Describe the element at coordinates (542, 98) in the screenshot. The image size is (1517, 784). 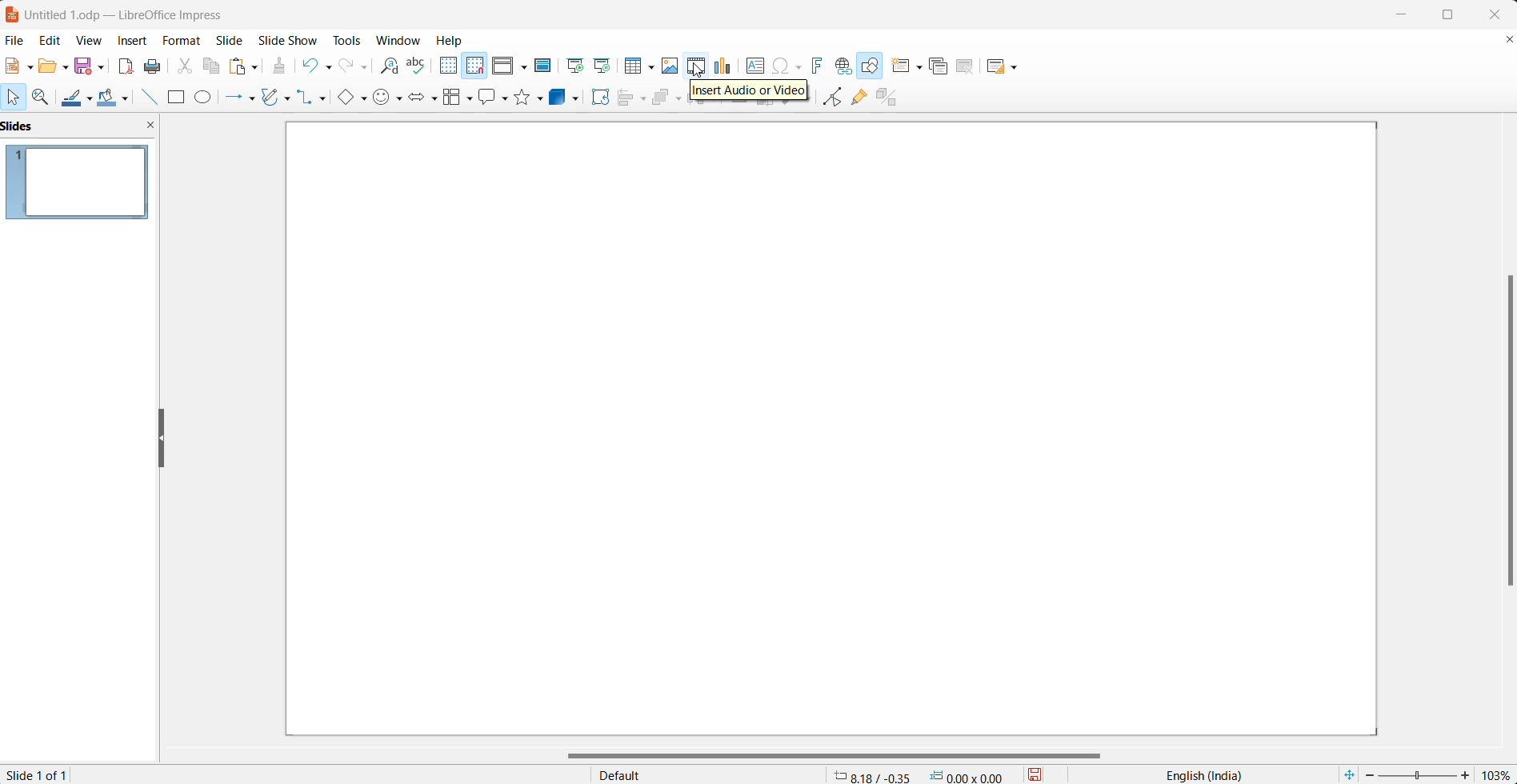
I see `` at that location.